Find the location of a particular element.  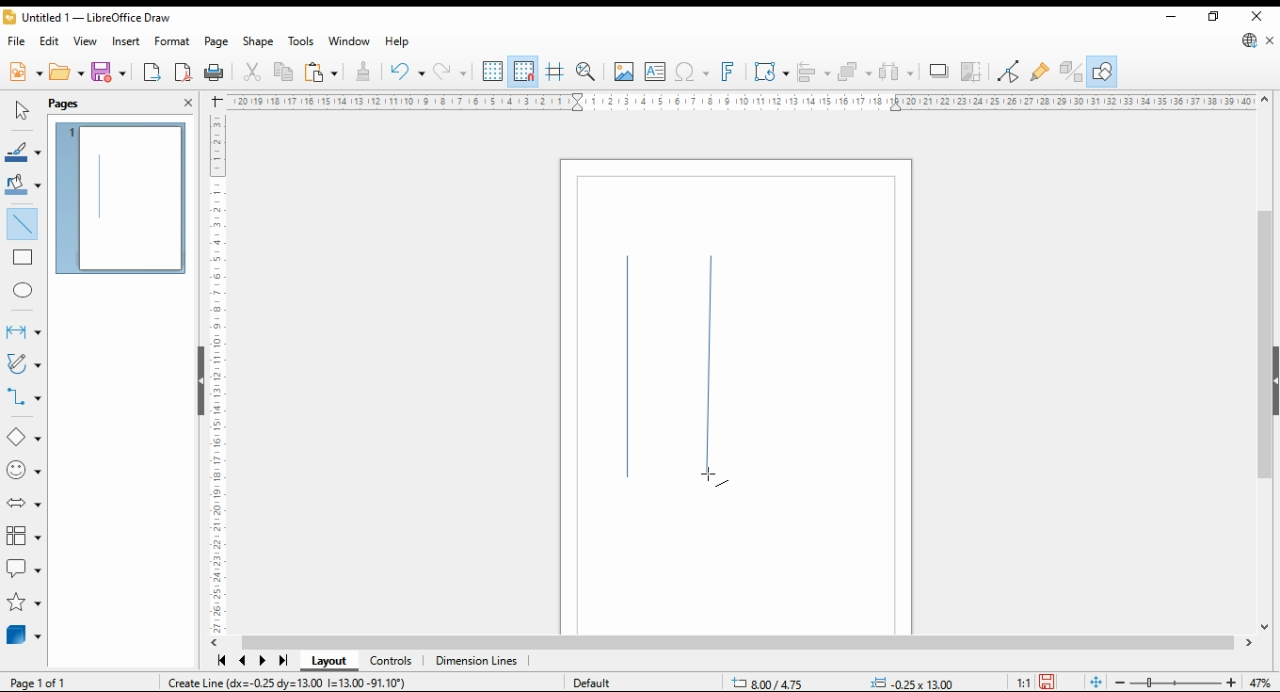

shadows is located at coordinates (938, 72).